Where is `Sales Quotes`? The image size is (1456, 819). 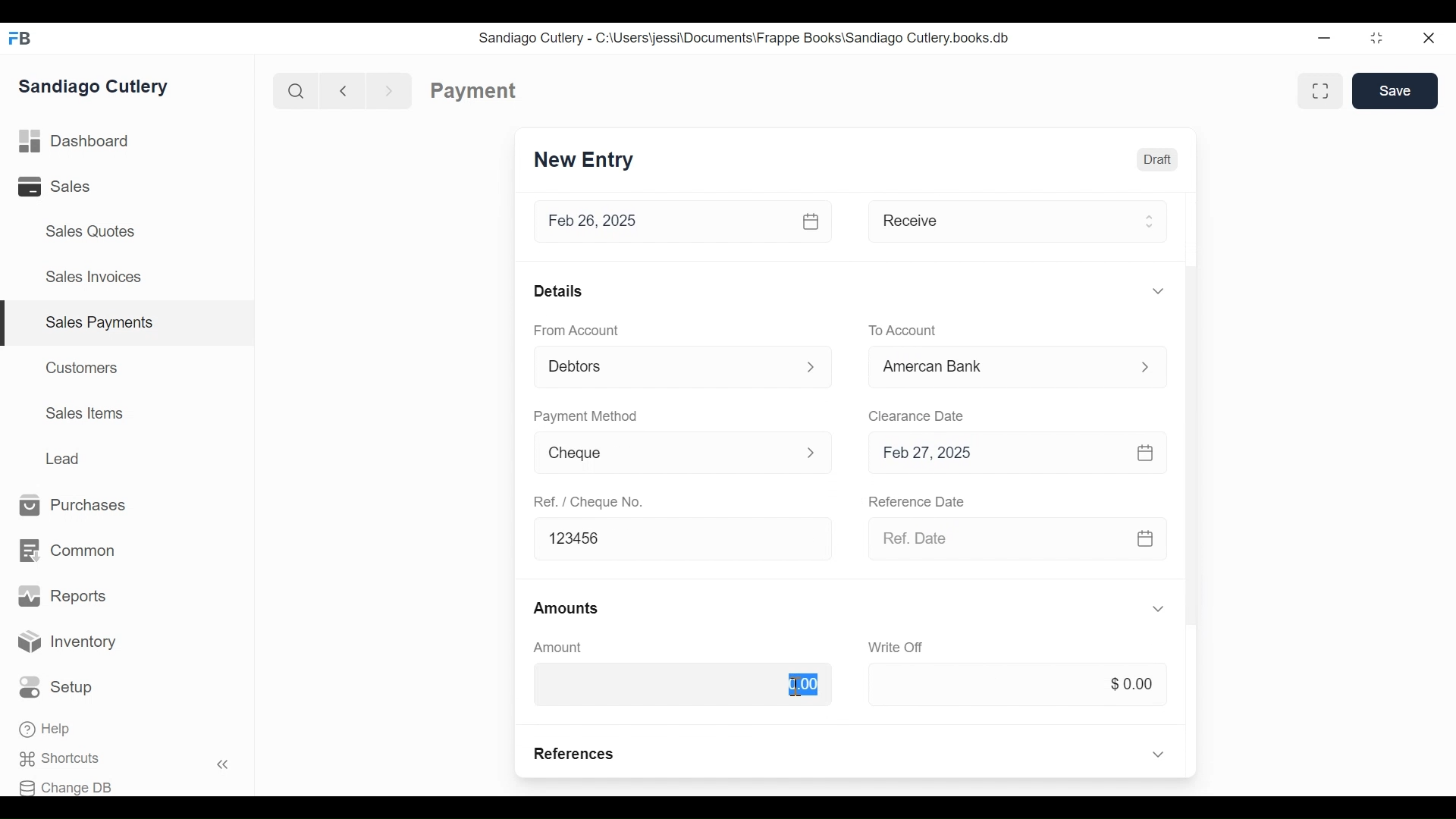
Sales Quotes is located at coordinates (89, 231).